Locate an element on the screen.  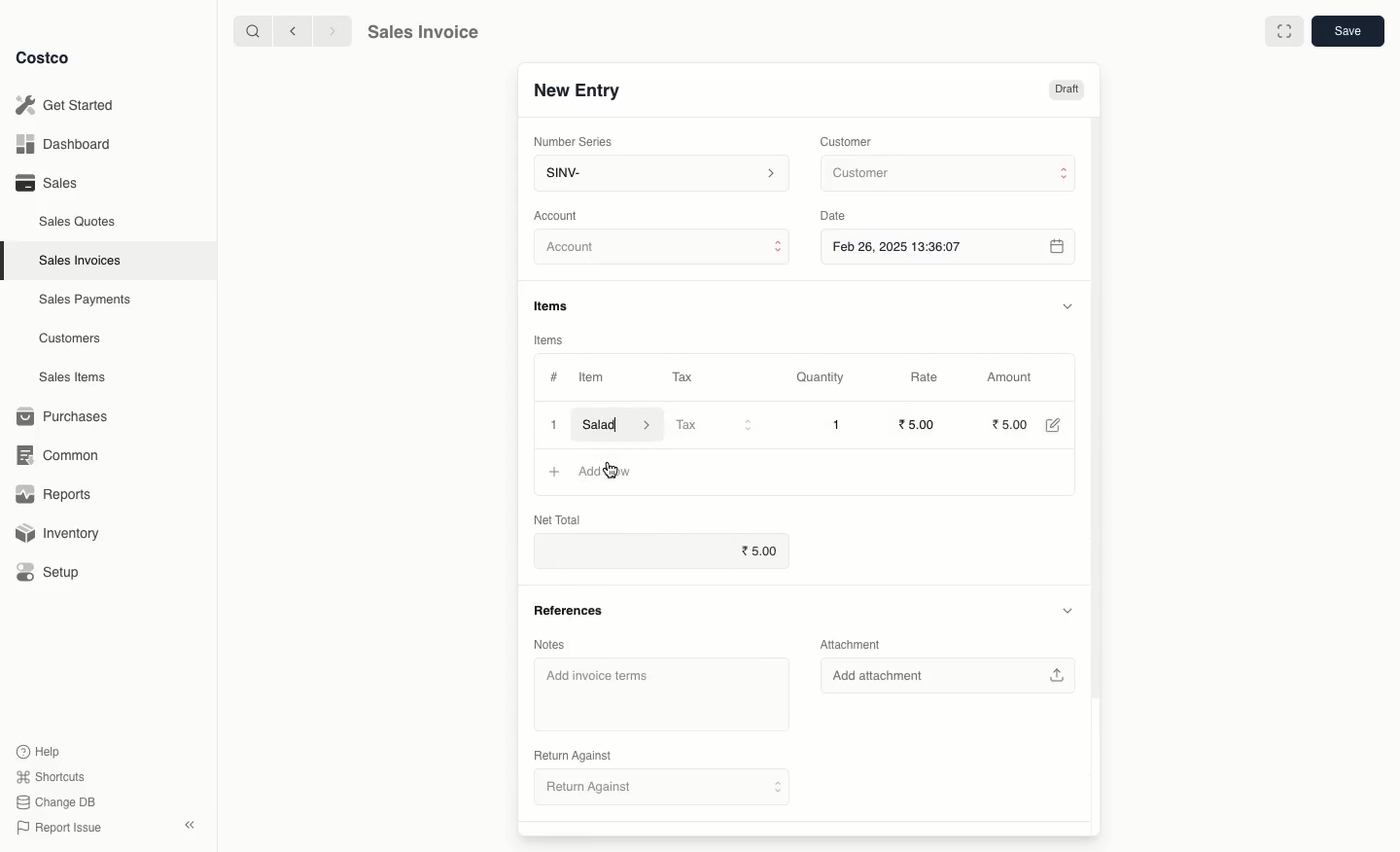
Hide is located at coordinates (1070, 610).